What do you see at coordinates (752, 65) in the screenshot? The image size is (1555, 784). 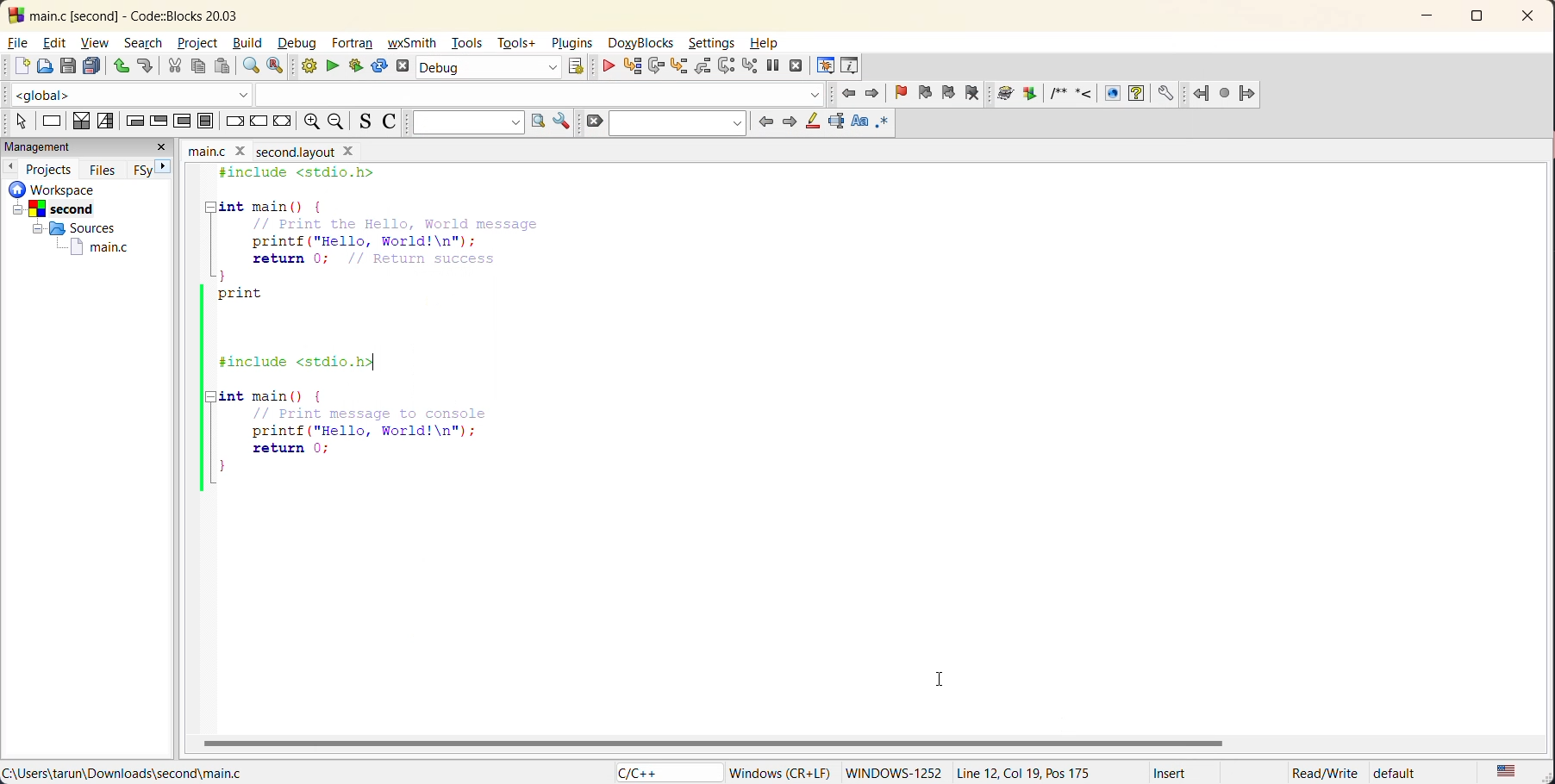 I see `step into instruction` at bounding box center [752, 65].